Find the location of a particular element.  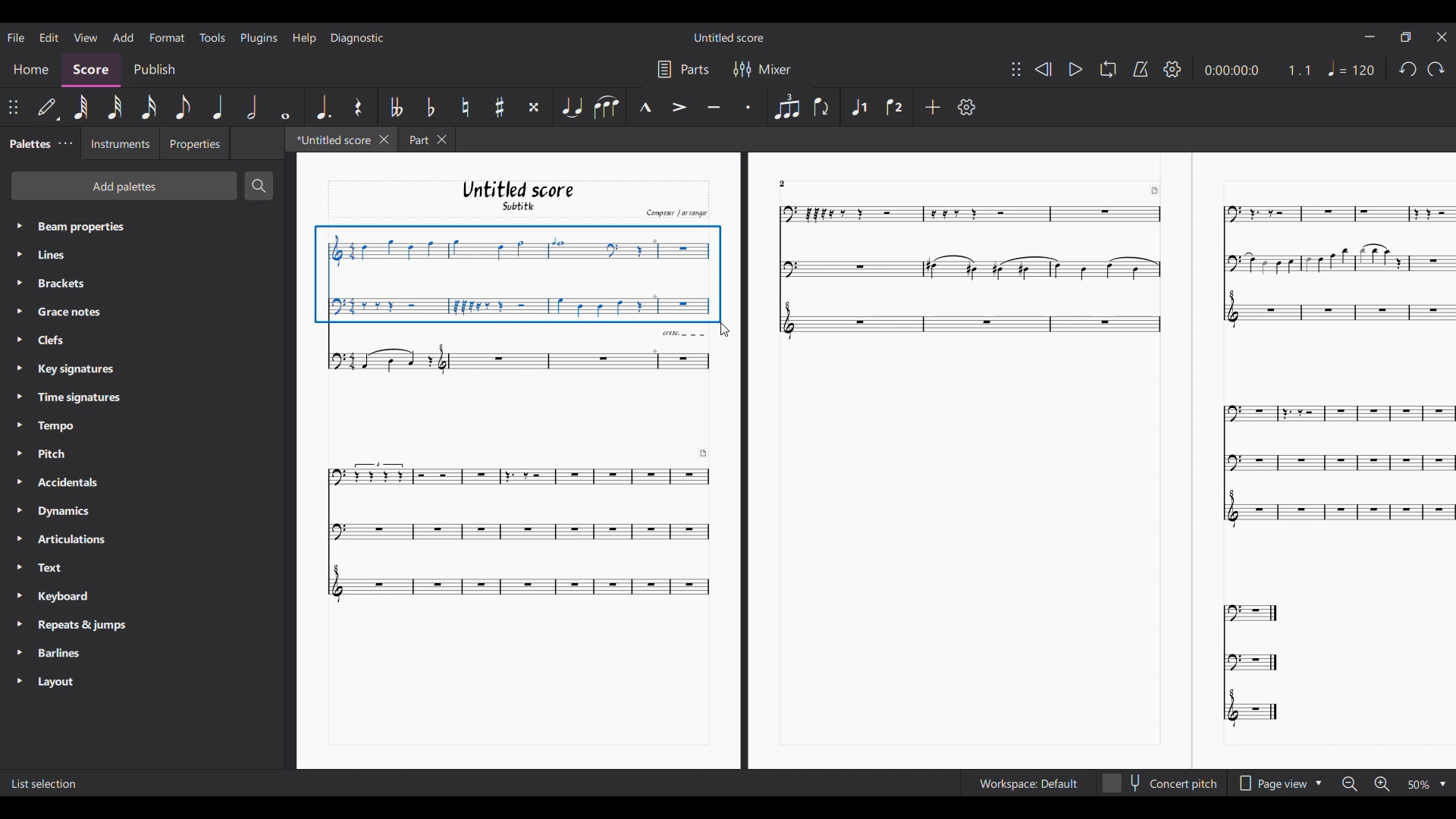

Search is located at coordinates (259, 186).